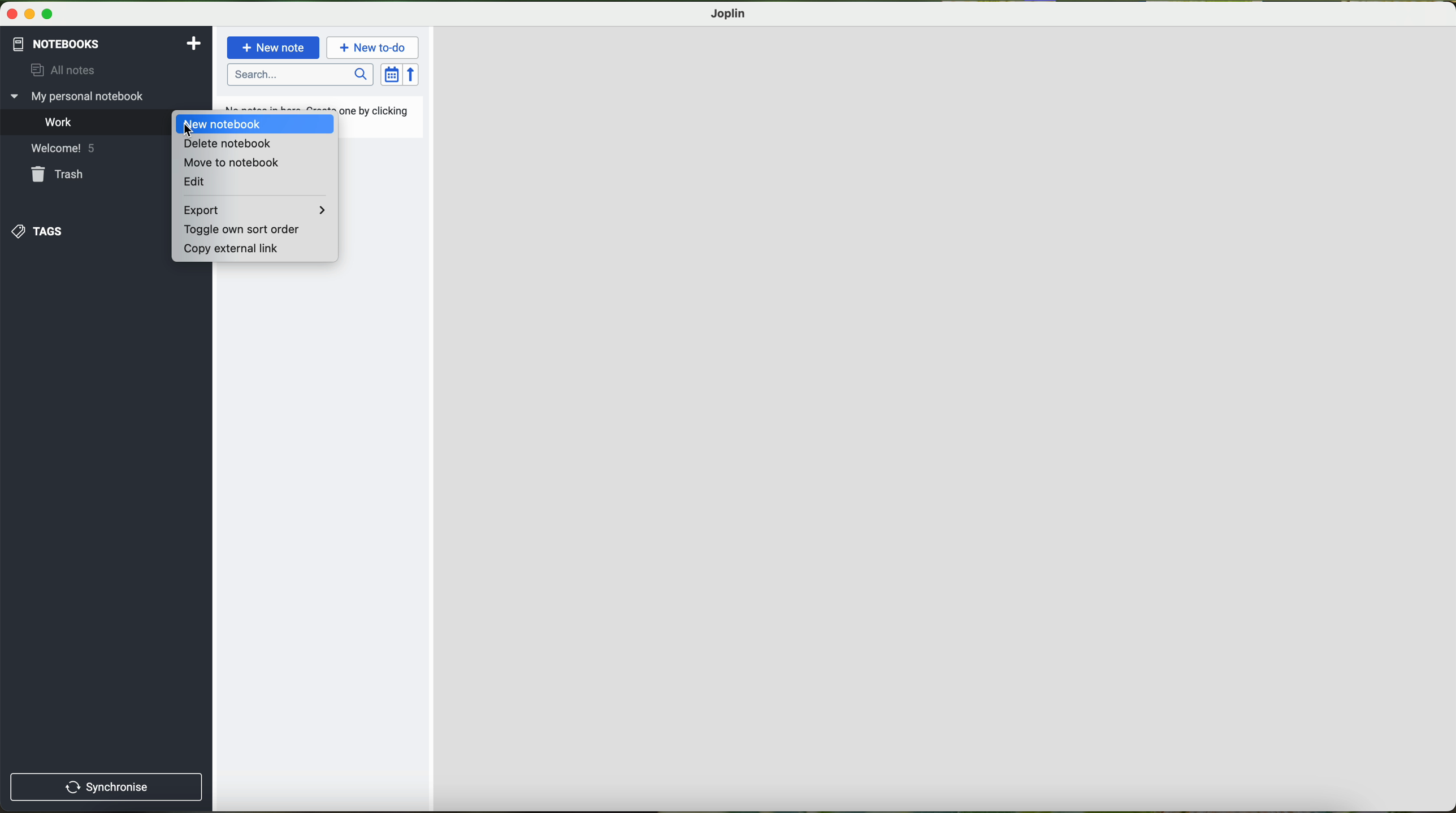  What do you see at coordinates (374, 47) in the screenshot?
I see `new to-do button` at bounding box center [374, 47].